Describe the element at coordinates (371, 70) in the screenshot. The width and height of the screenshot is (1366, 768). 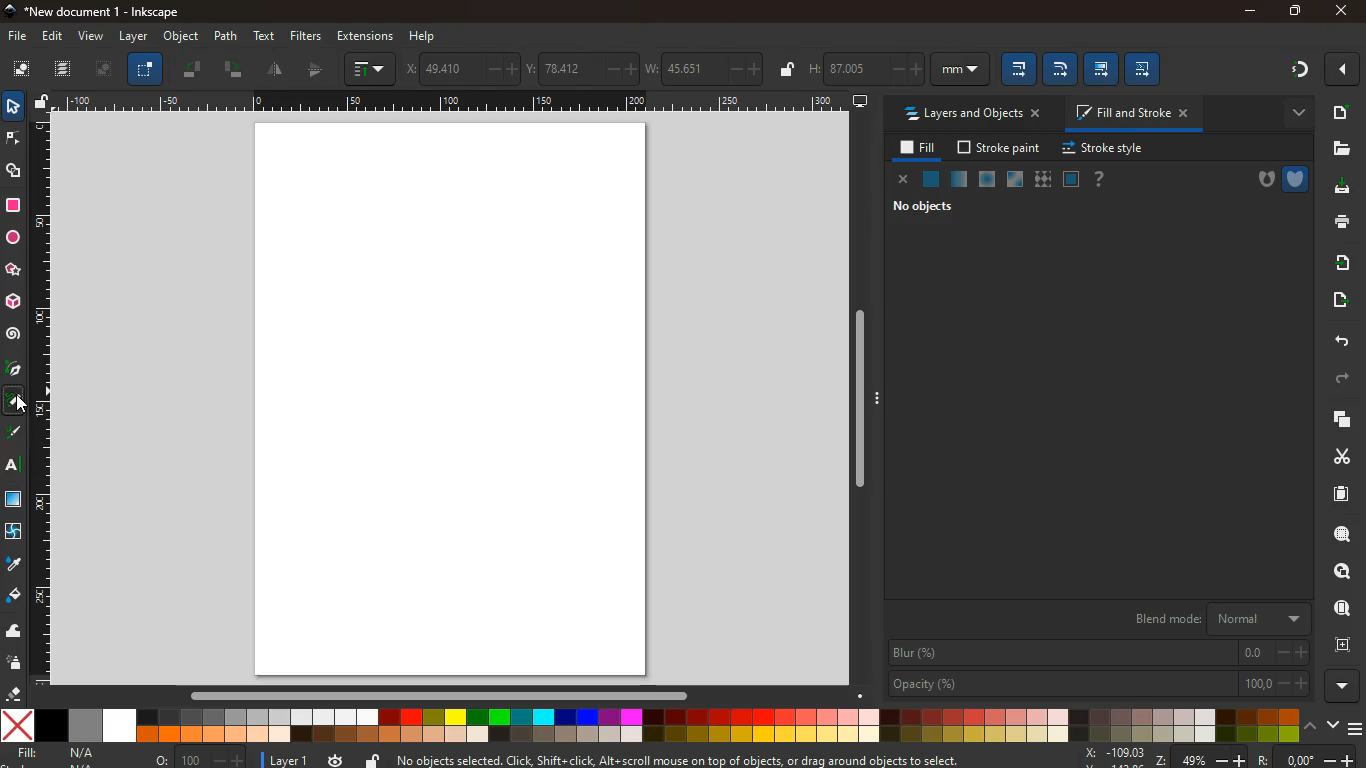
I see `graph` at that location.